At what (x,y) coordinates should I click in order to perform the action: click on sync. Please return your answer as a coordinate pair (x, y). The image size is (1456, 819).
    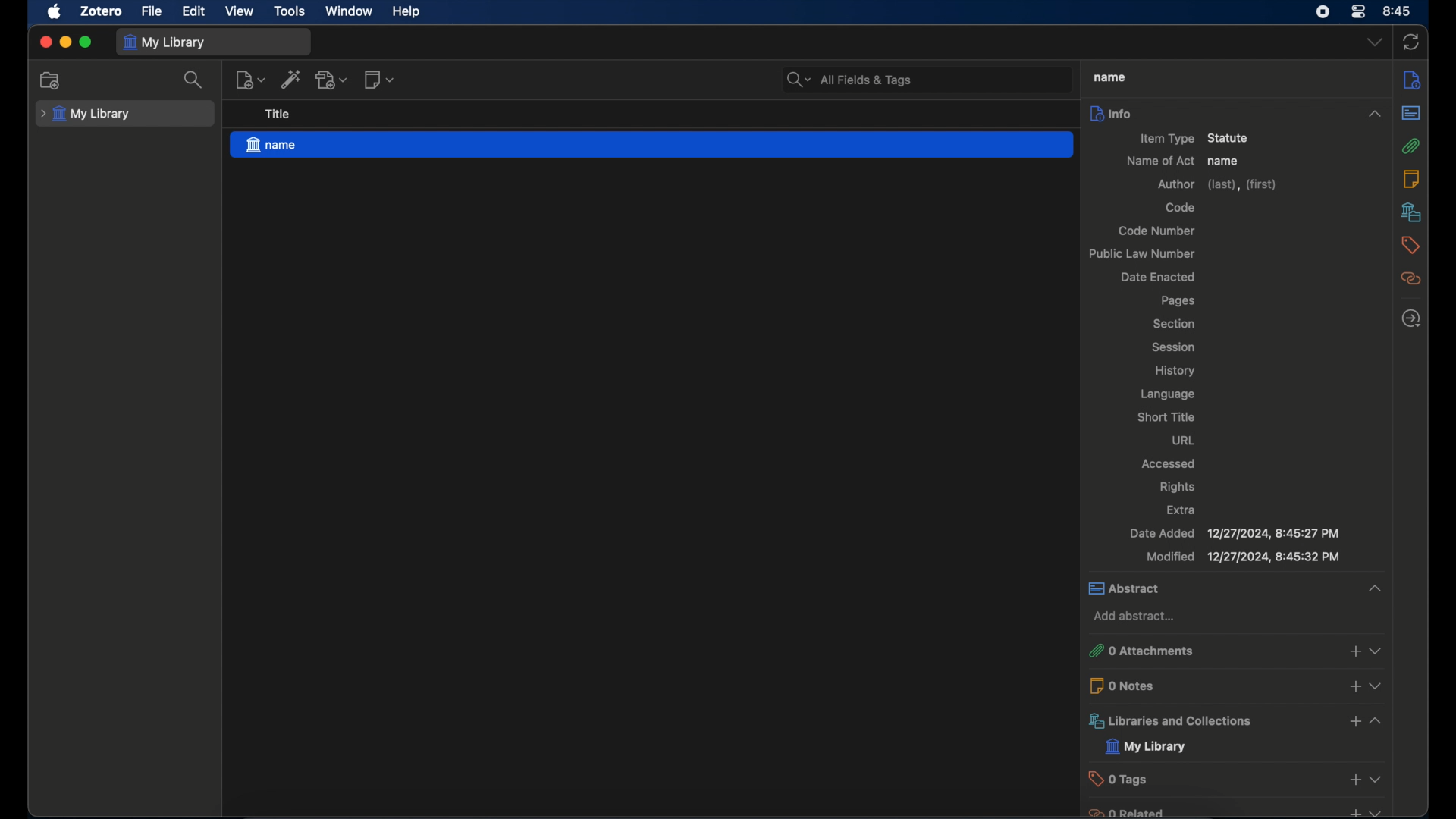
    Looking at the image, I should click on (1412, 42).